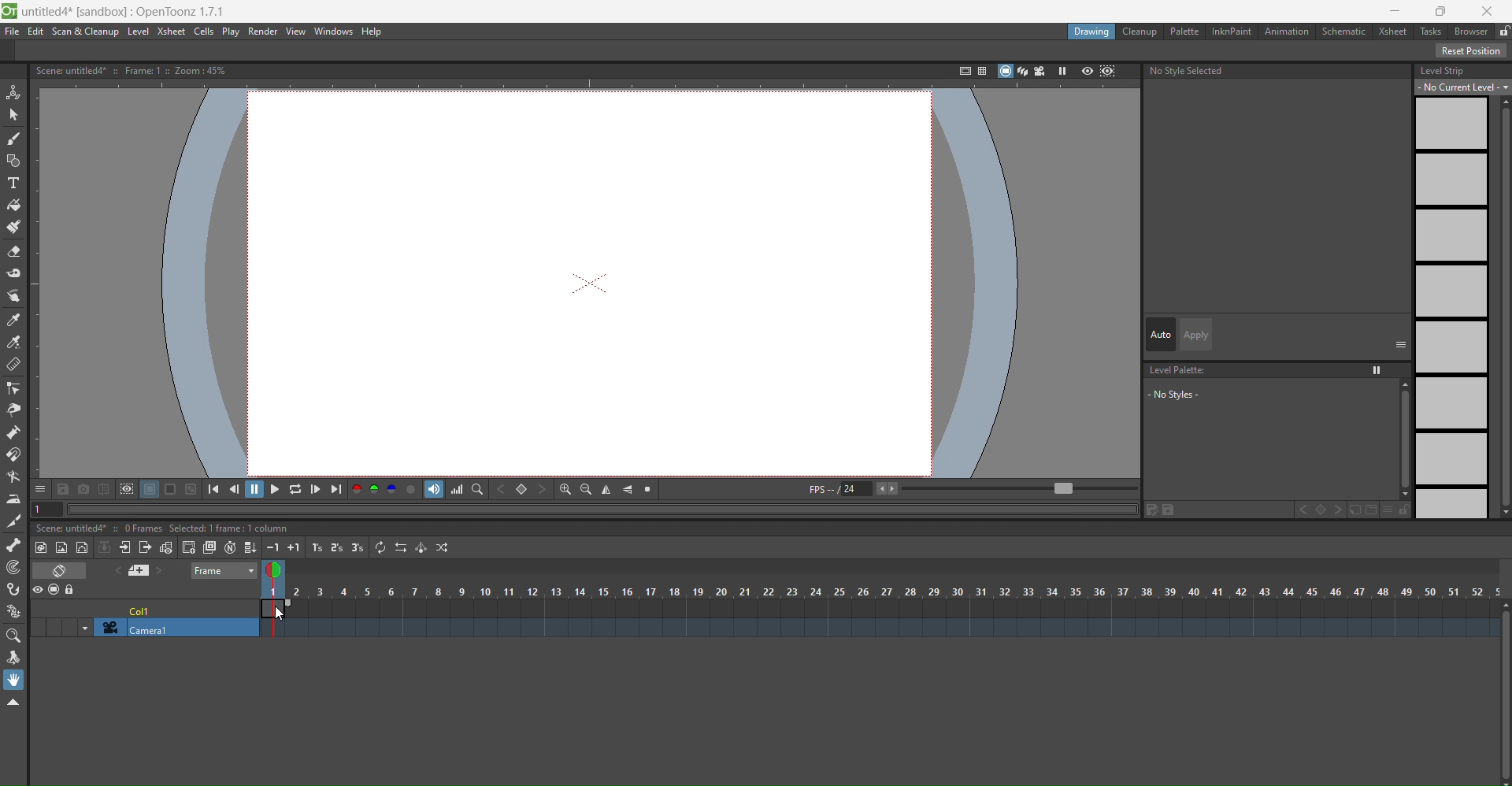 The height and width of the screenshot is (786, 1512). I want to click on inknpaint, so click(1230, 32).